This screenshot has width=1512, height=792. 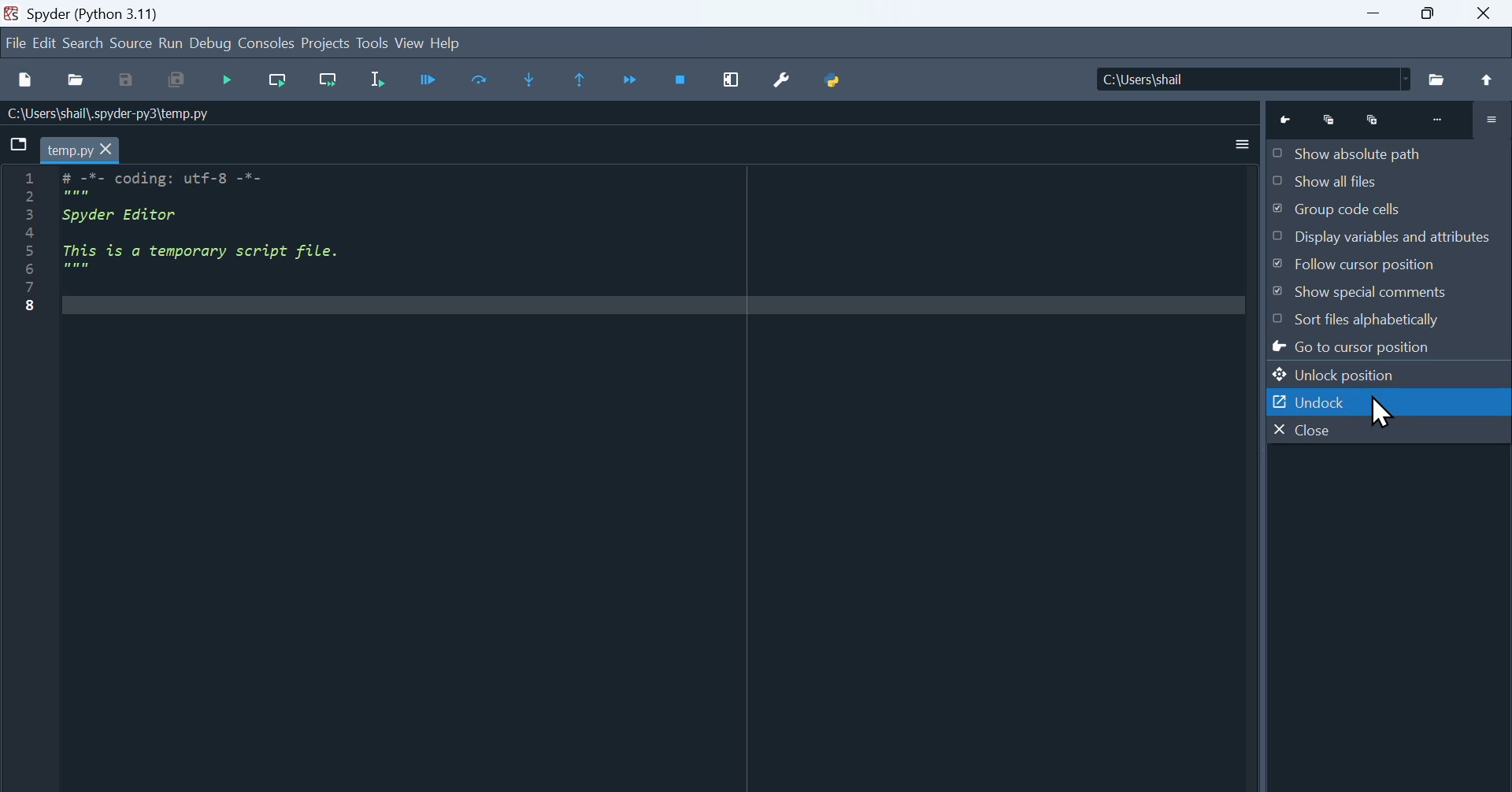 I want to click on Up to, so click(x=1487, y=79).